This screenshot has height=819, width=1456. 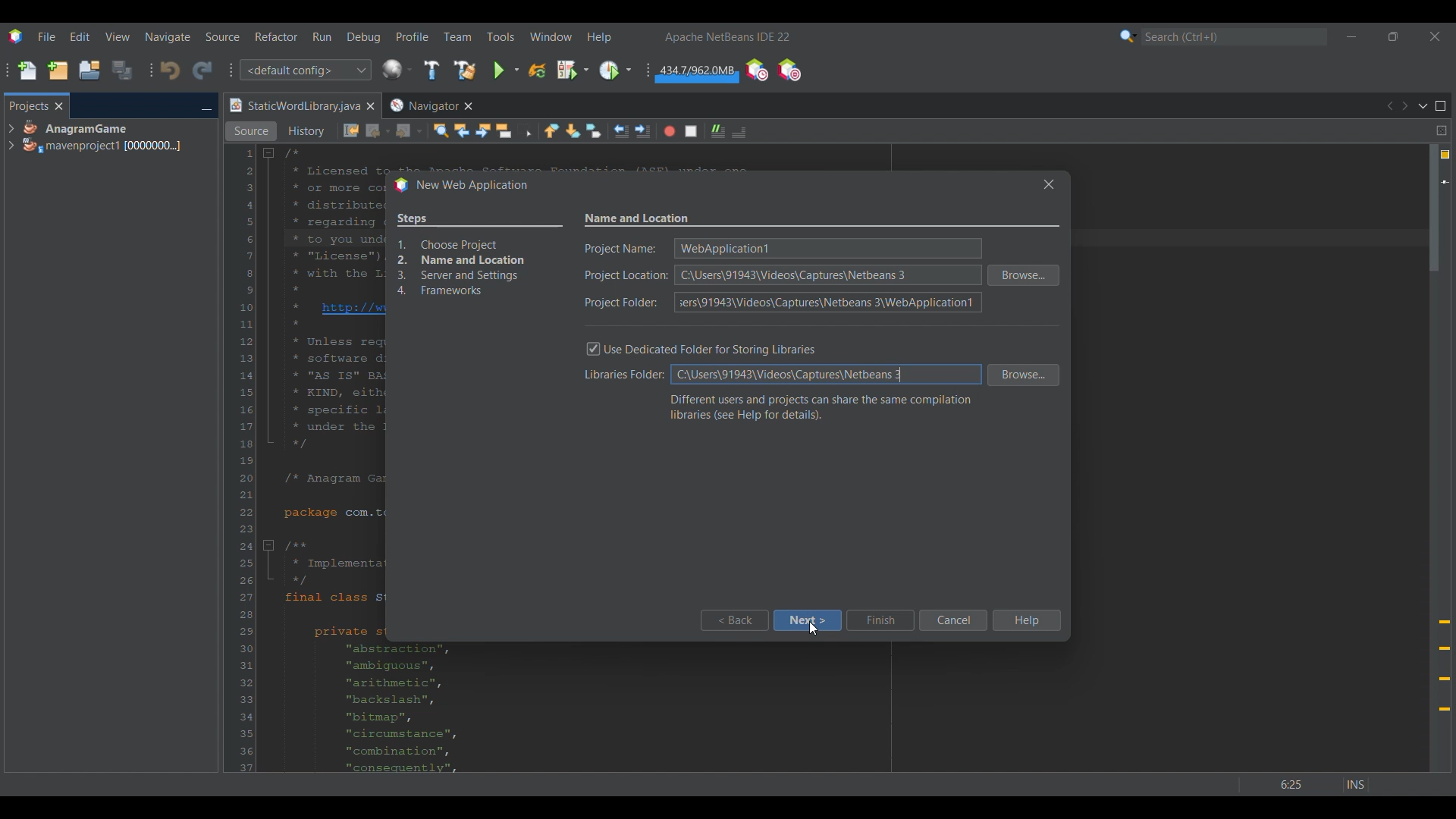 What do you see at coordinates (691, 131) in the screenshot?
I see `Stop macro recording` at bounding box center [691, 131].